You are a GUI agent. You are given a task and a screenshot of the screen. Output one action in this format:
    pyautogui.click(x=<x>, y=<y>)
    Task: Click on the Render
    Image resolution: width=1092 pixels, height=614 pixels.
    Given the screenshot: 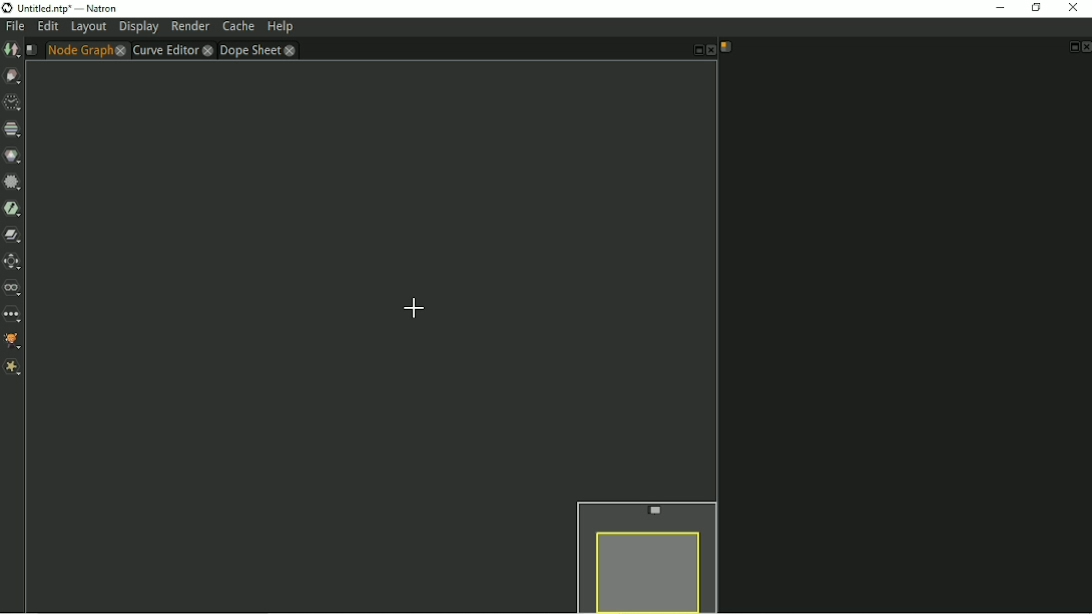 What is the action you would take?
    pyautogui.click(x=191, y=26)
    